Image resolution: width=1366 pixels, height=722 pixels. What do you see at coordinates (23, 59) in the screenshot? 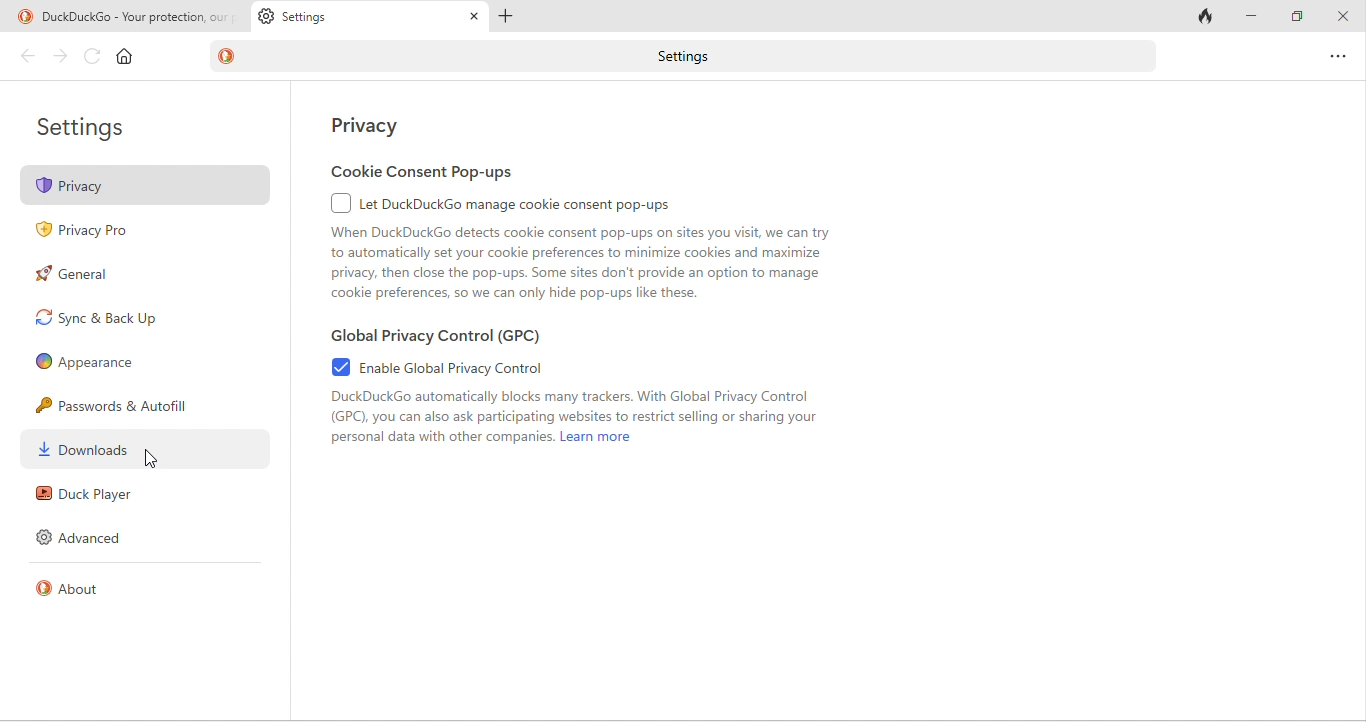
I see `back` at bounding box center [23, 59].